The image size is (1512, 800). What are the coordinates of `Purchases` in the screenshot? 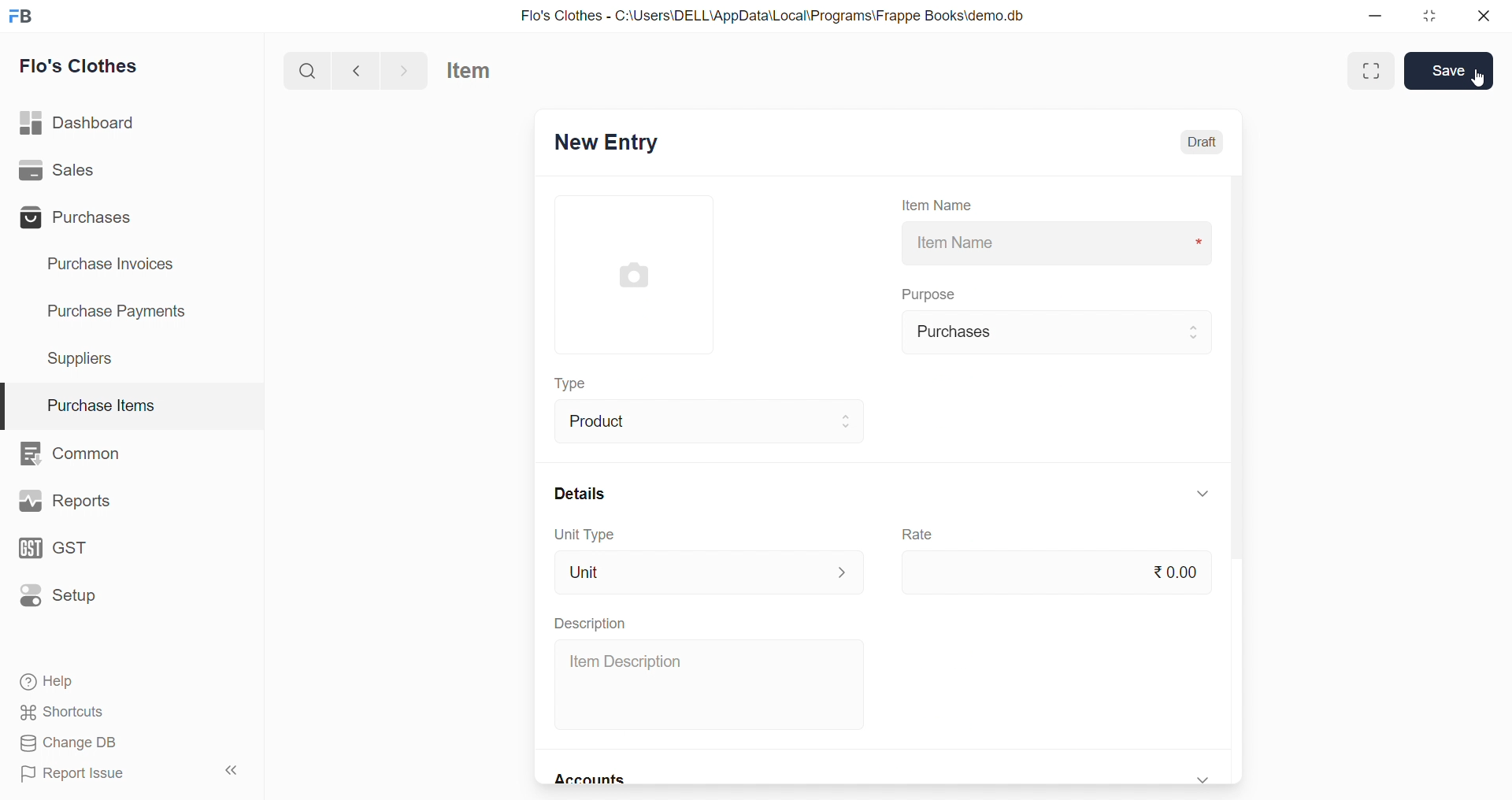 It's located at (80, 217).